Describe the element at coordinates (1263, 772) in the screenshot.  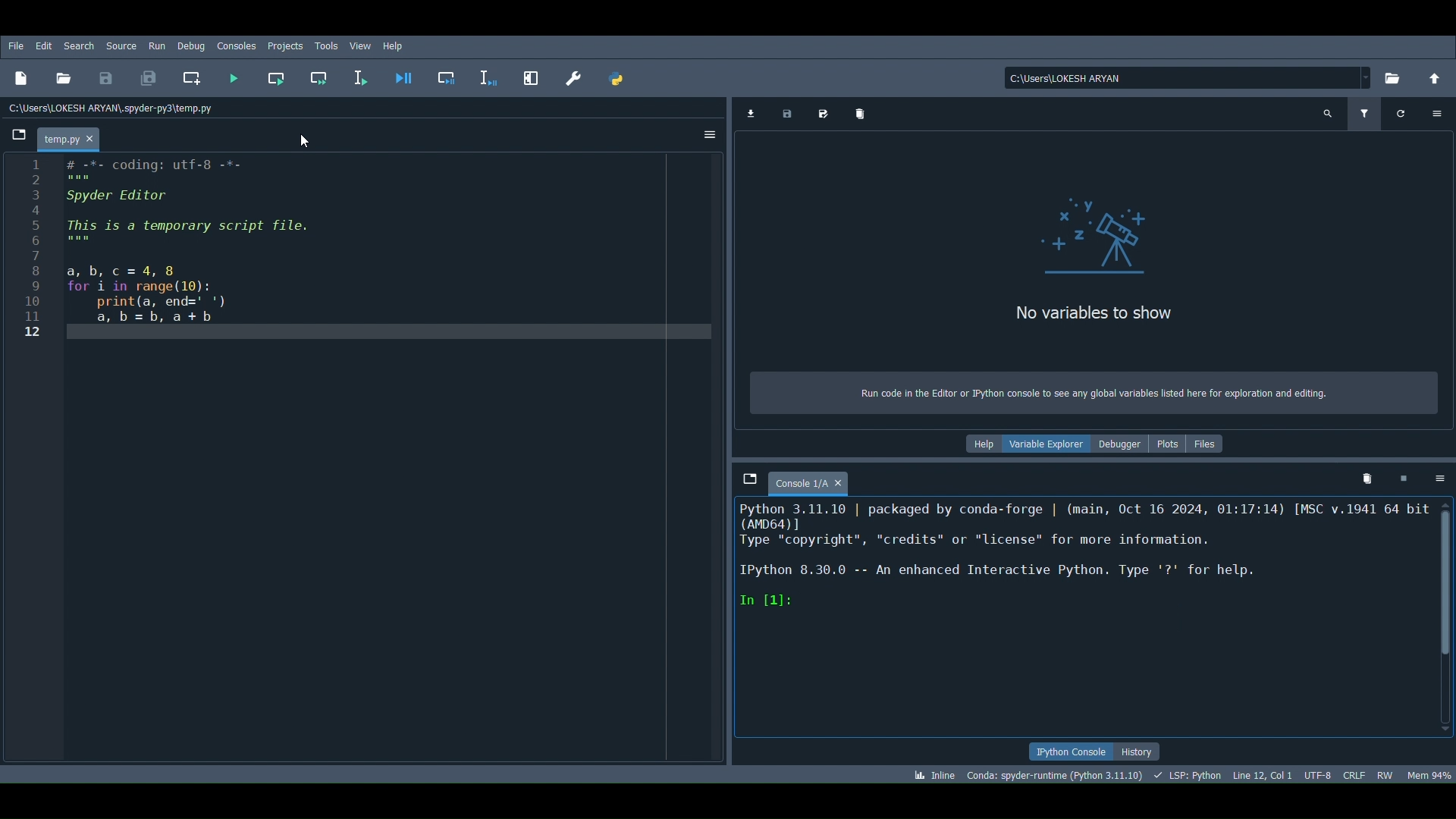
I see `Cursor position` at that location.